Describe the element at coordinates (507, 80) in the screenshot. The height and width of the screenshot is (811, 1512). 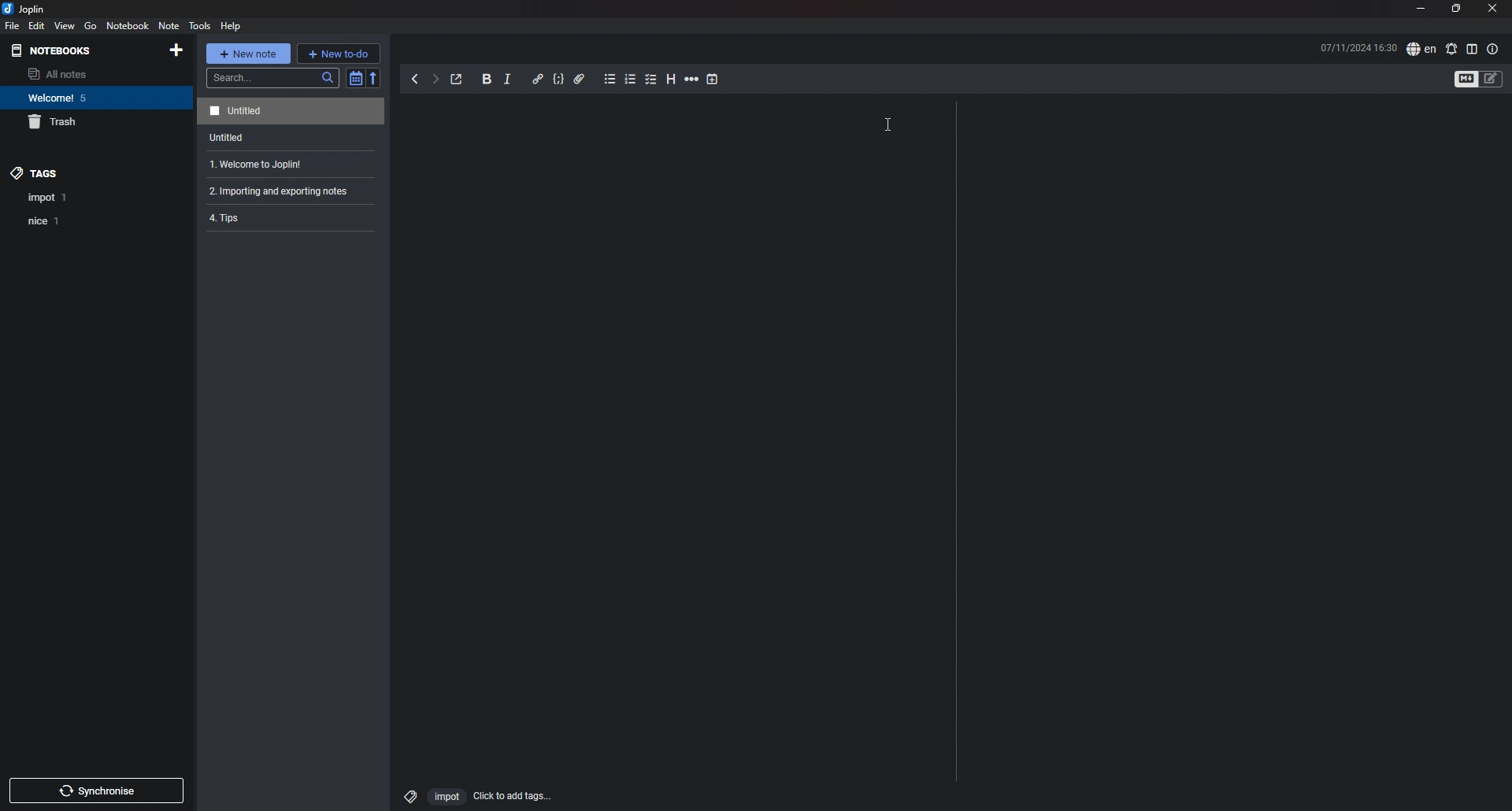
I see `italic` at that location.